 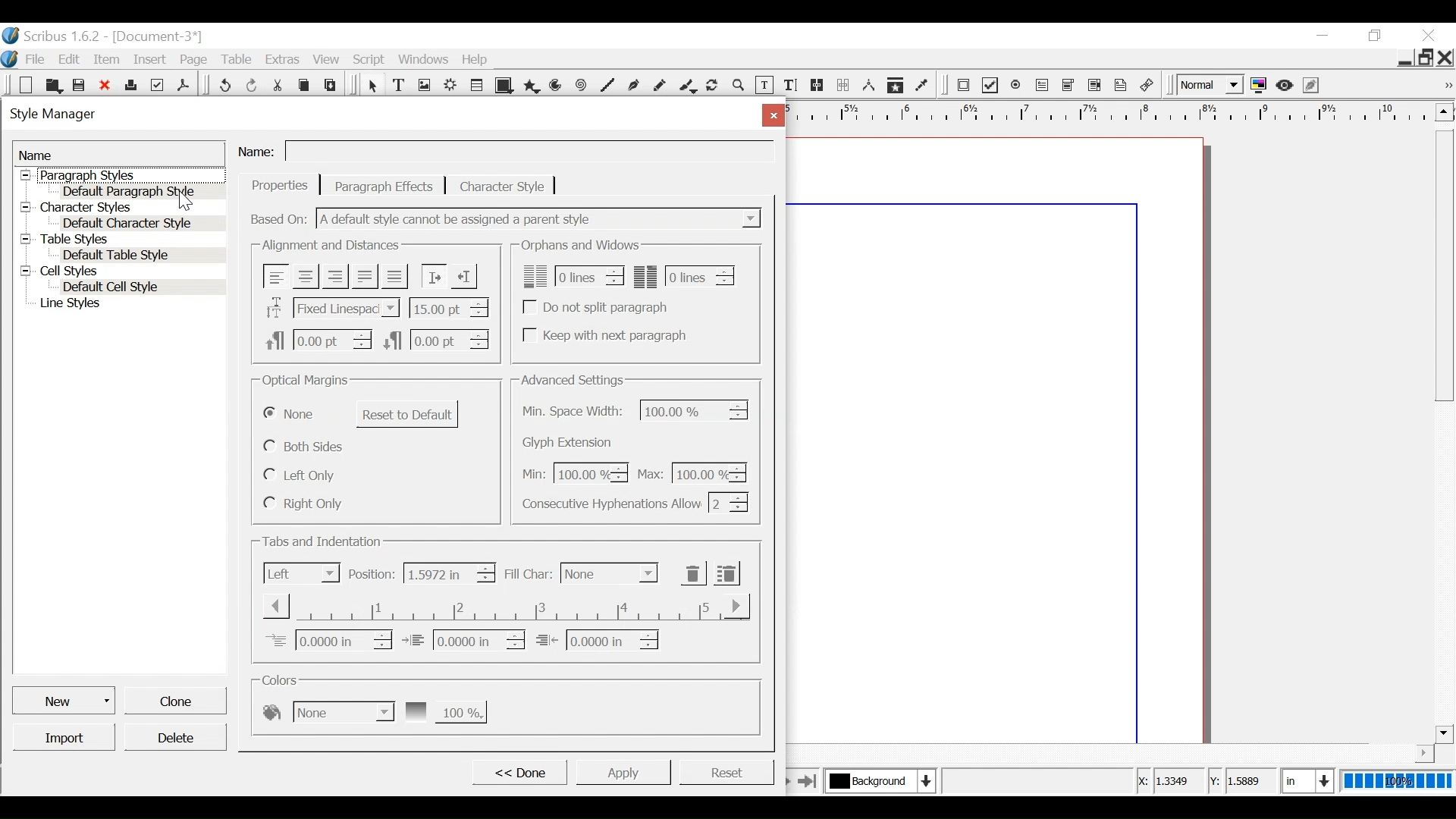 What do you see at coordinates (306, 446) in the screenshot?
I see `(un)select Both Sides` at bounding box center [306, 446].